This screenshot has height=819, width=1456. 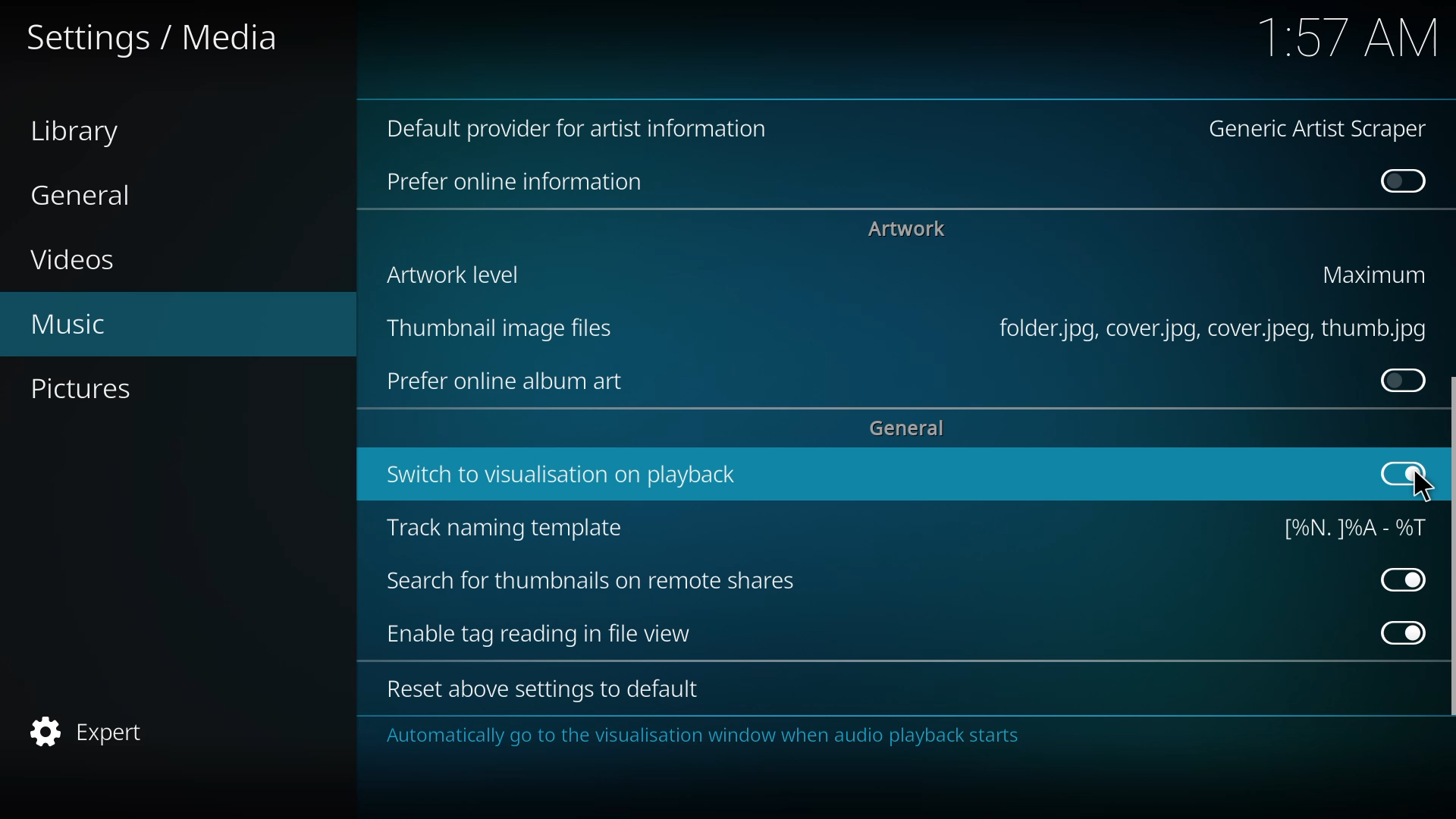 I want to click on click to enable, so click(x=1397, y=379).